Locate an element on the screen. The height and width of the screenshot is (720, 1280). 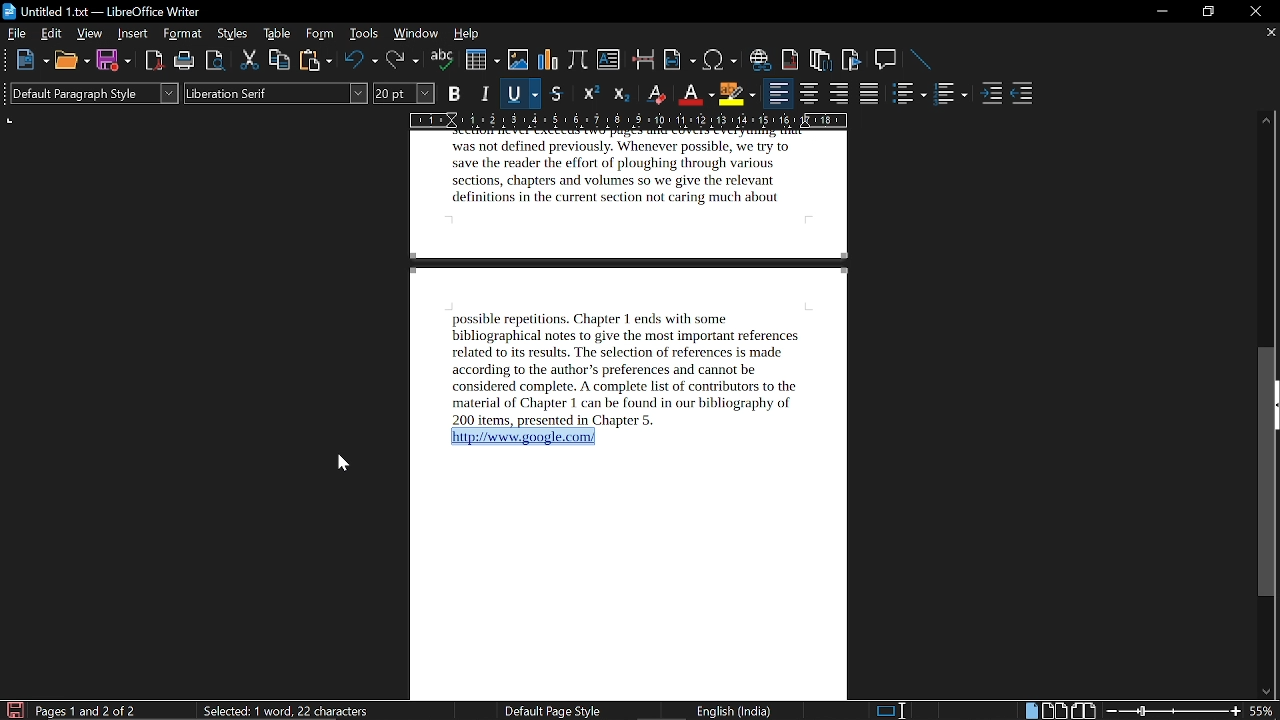
paste is located at coordinates (315, 61).